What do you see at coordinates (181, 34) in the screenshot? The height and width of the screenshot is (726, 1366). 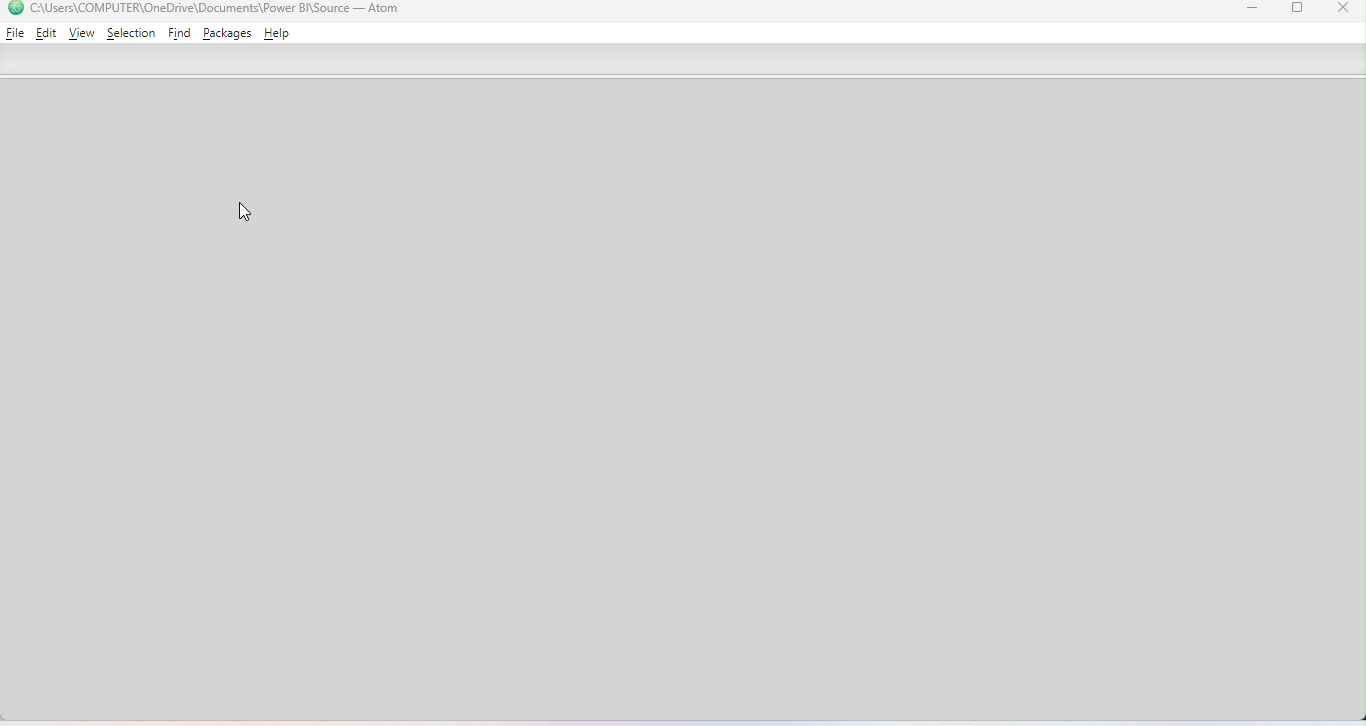 I see `Find` at bounding box center [181, 34].